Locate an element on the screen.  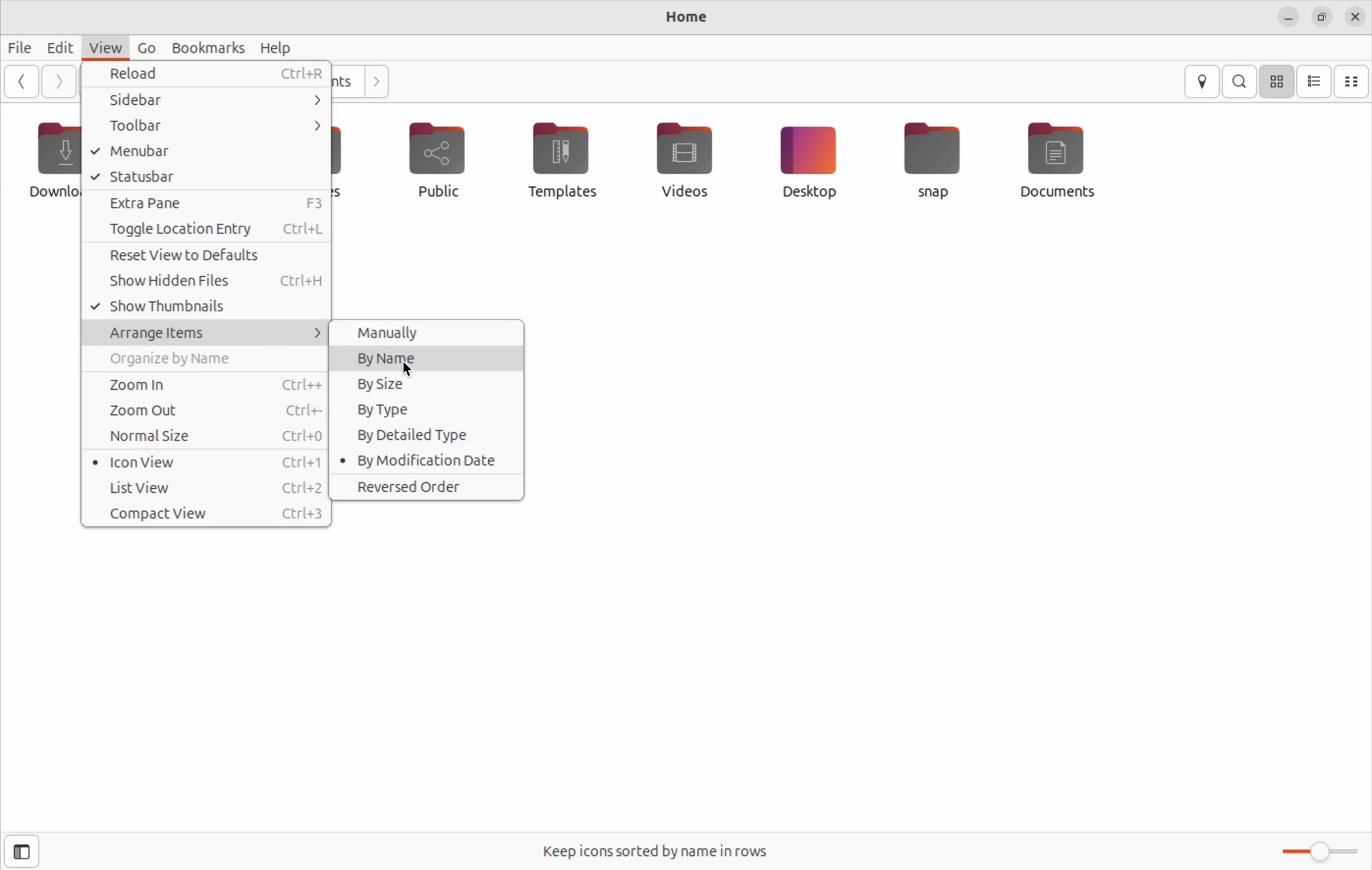
zoom out is located at coordinates (206, 411).